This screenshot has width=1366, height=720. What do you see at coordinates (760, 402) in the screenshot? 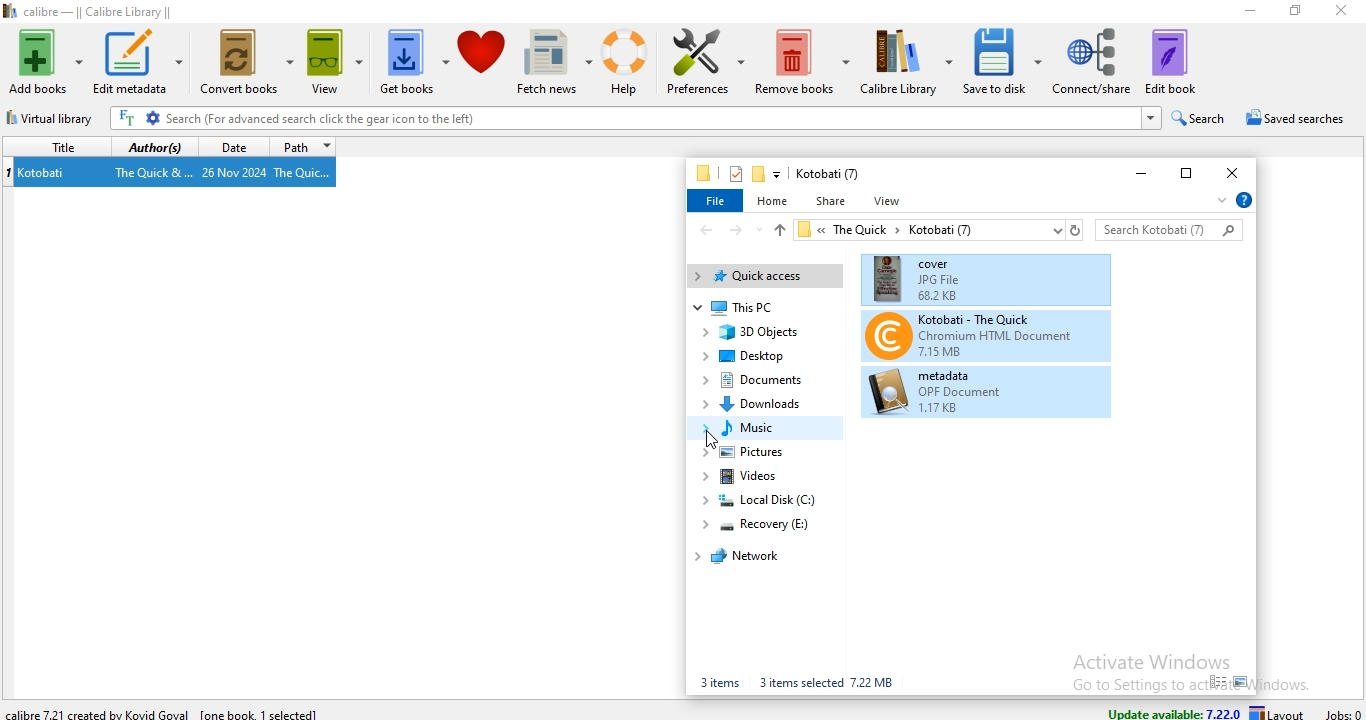
I see `Downloads` at bounding box center [760, 402].